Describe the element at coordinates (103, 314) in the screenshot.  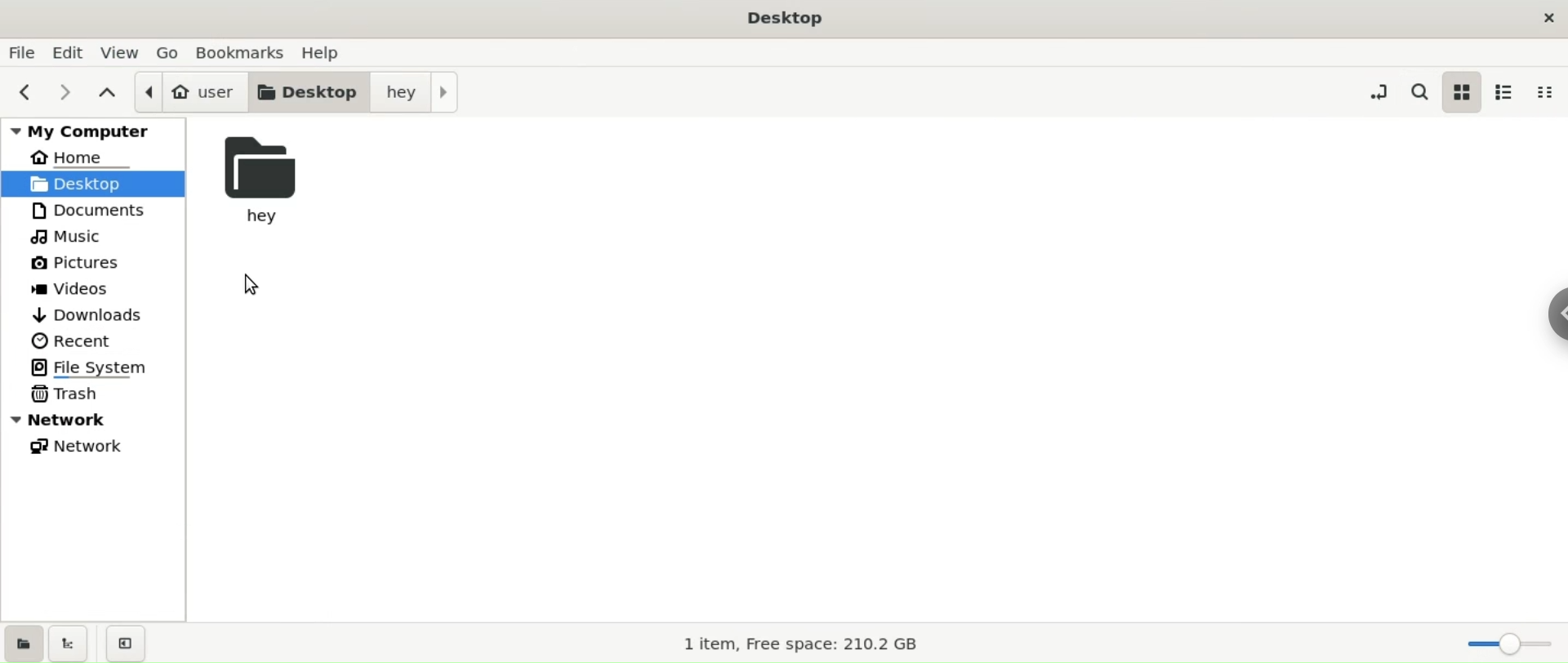
I see `downlods` at that location.